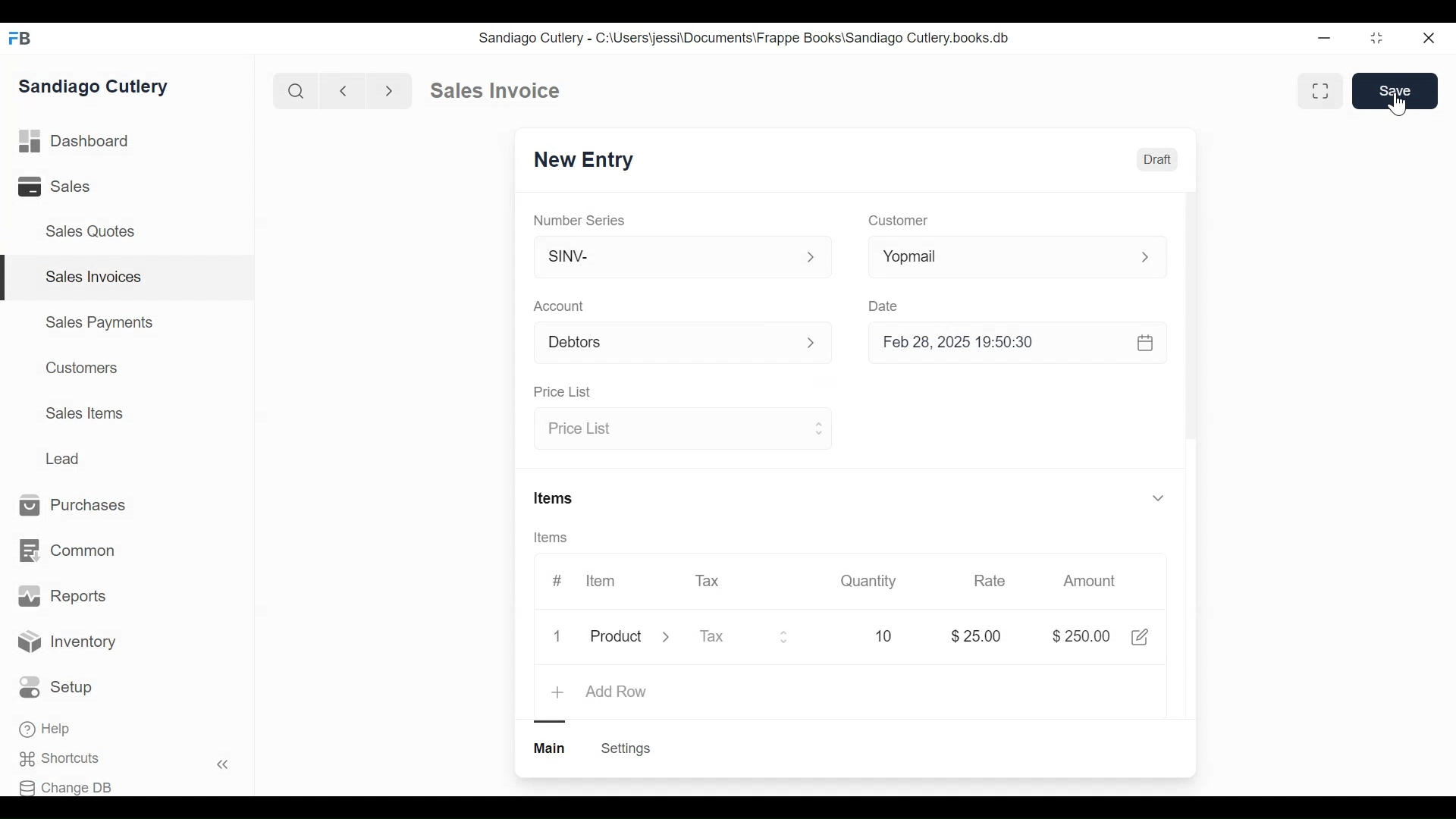 The height and width of the screenshot is (819, 1456). Describe the element at coordinates (344, 90) in the screenshot. I see `backward` at that location.